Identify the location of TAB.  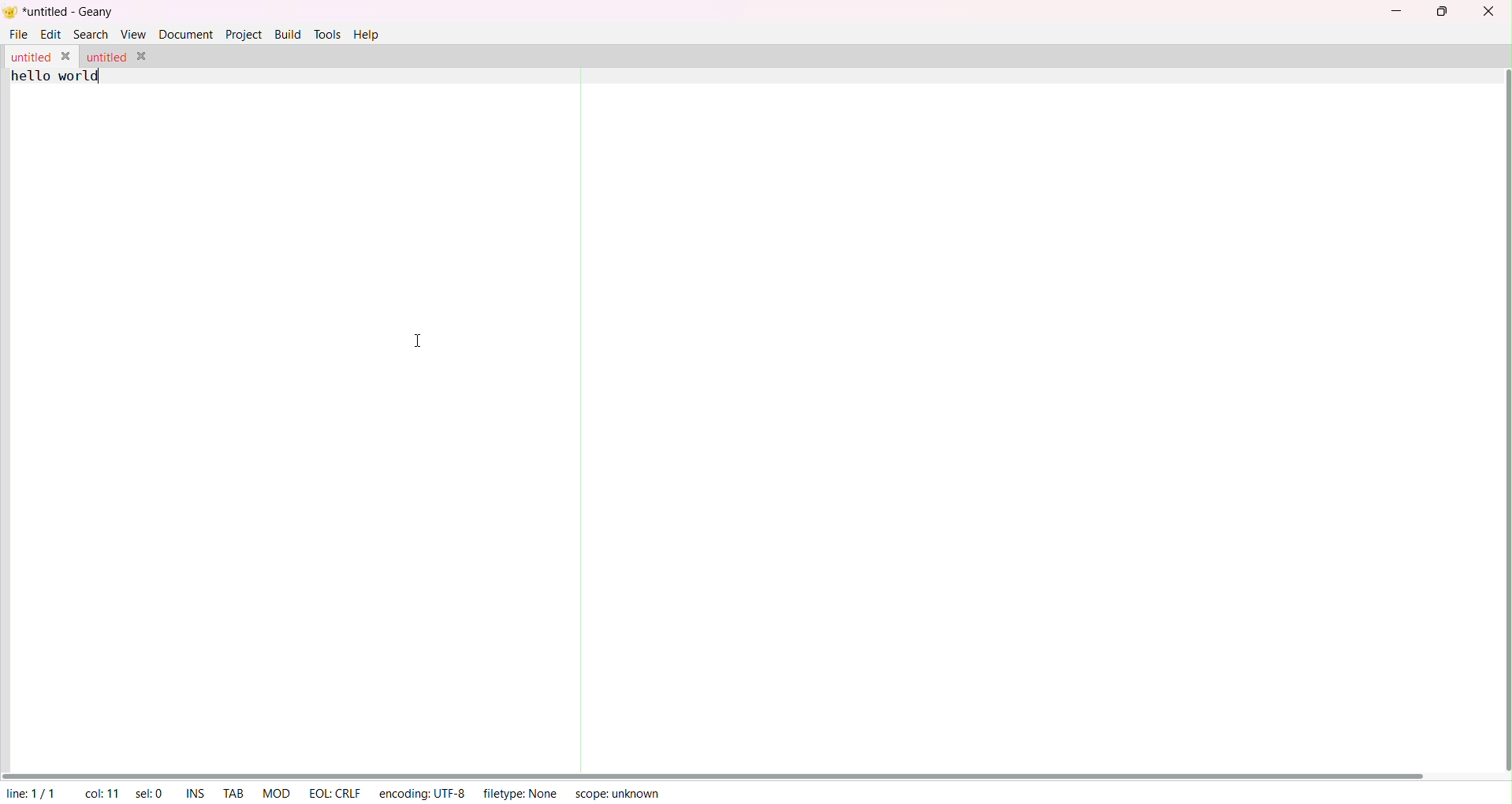
(235, 791).